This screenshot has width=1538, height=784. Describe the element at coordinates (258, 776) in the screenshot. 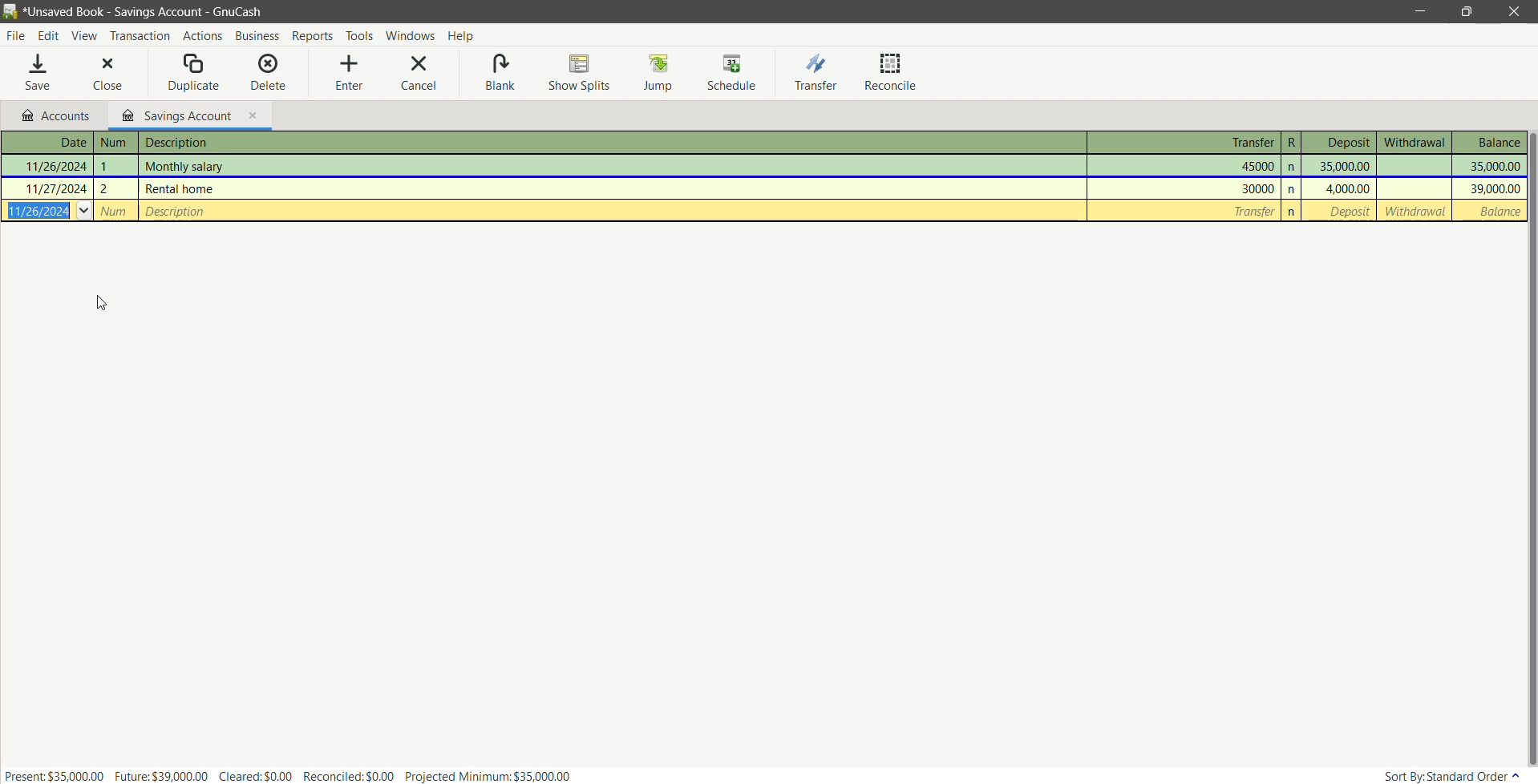

I see `Cleared` at that location.